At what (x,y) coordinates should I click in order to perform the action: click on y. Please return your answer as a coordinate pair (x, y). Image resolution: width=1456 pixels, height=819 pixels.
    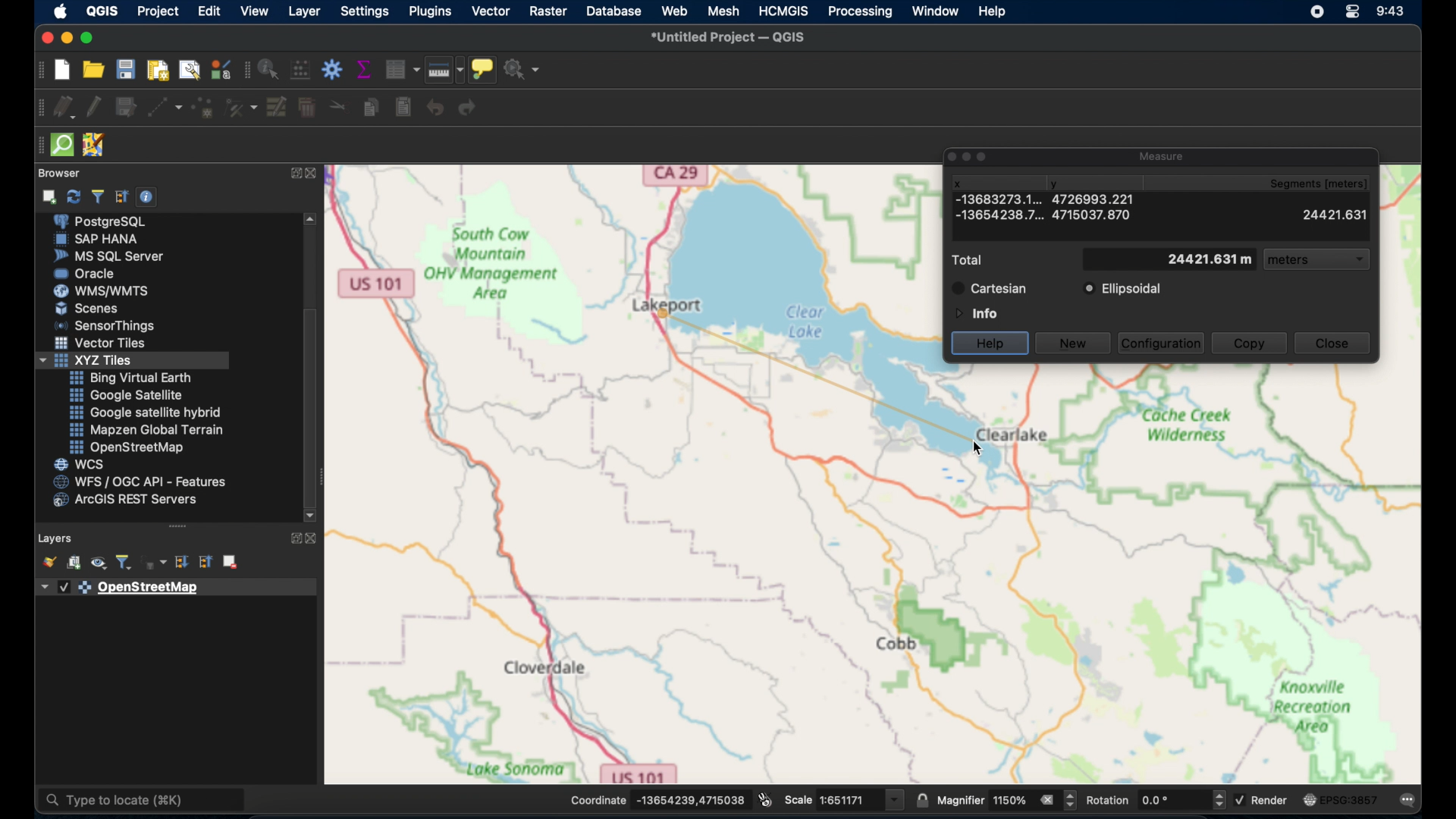
    Looking at the image, I should click on (1061, 181).